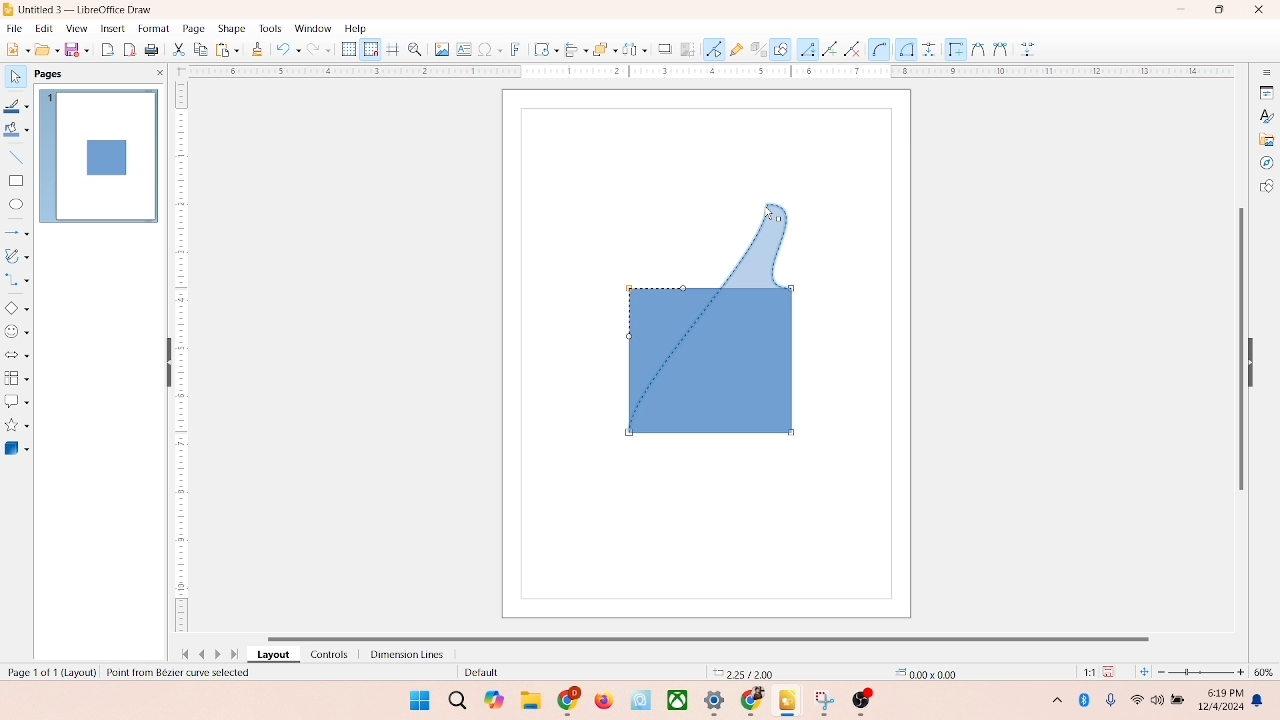  Describe the element at coordinates (1254, 11) in the screenshot. I see `close` at that location.